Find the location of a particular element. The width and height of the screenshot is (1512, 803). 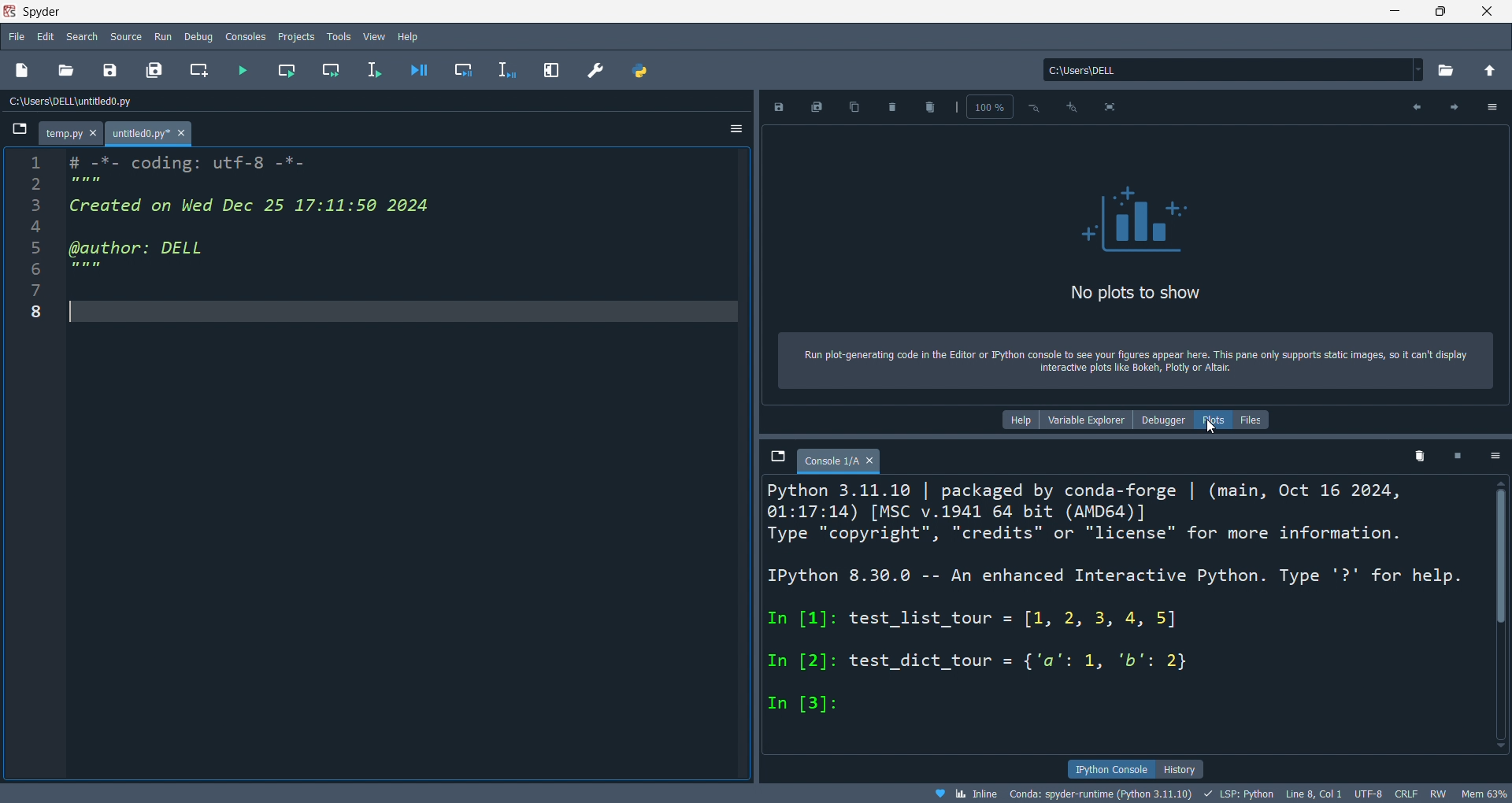

spyder is located at coordinates (72, 11).